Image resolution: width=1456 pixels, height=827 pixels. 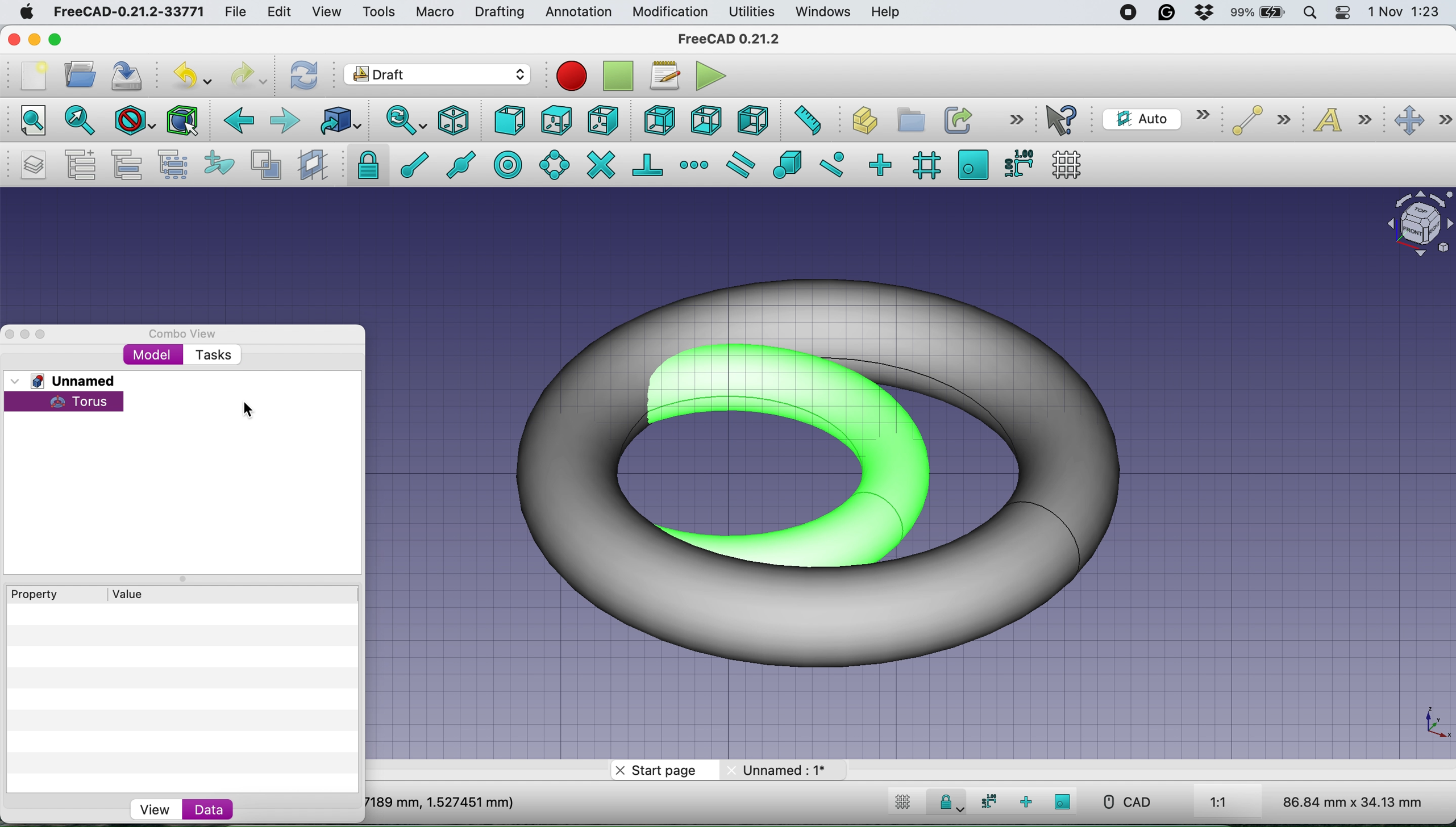 I want to click on snap working plane, so click(x=1063, y=801).